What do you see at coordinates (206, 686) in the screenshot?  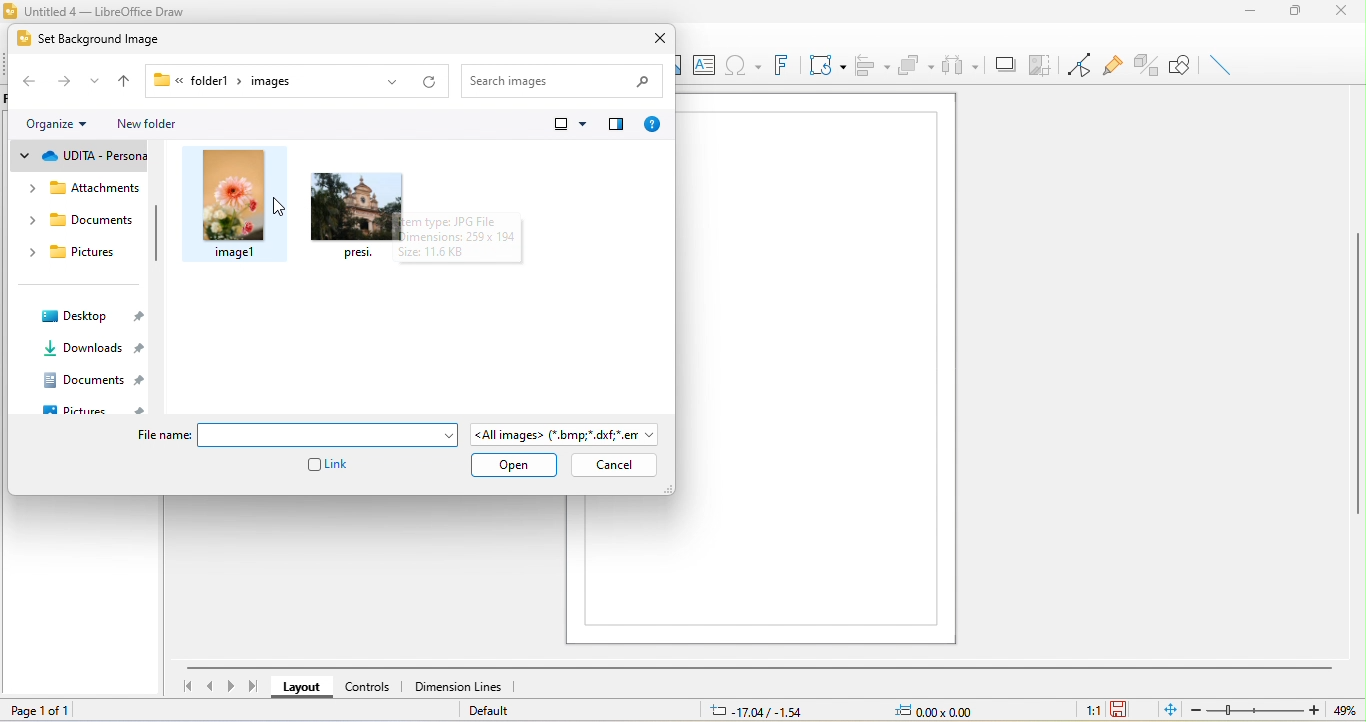 I see `previous page` at bounding box center [206, 686].